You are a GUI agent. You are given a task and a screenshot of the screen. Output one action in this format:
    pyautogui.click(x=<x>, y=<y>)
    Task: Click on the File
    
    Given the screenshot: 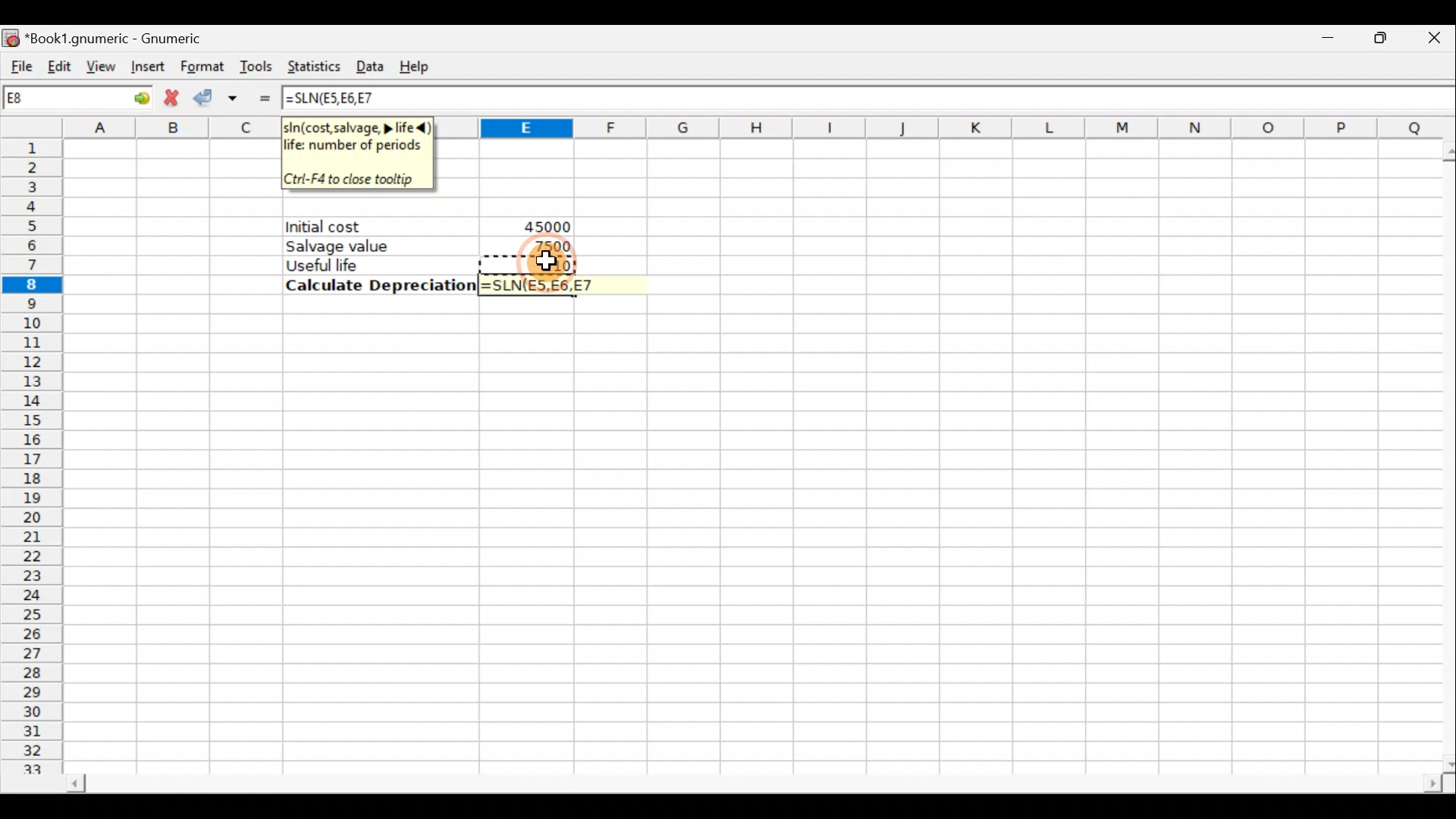 What is the action you would take?
    pyautogui.click(x=19, y=61)
    